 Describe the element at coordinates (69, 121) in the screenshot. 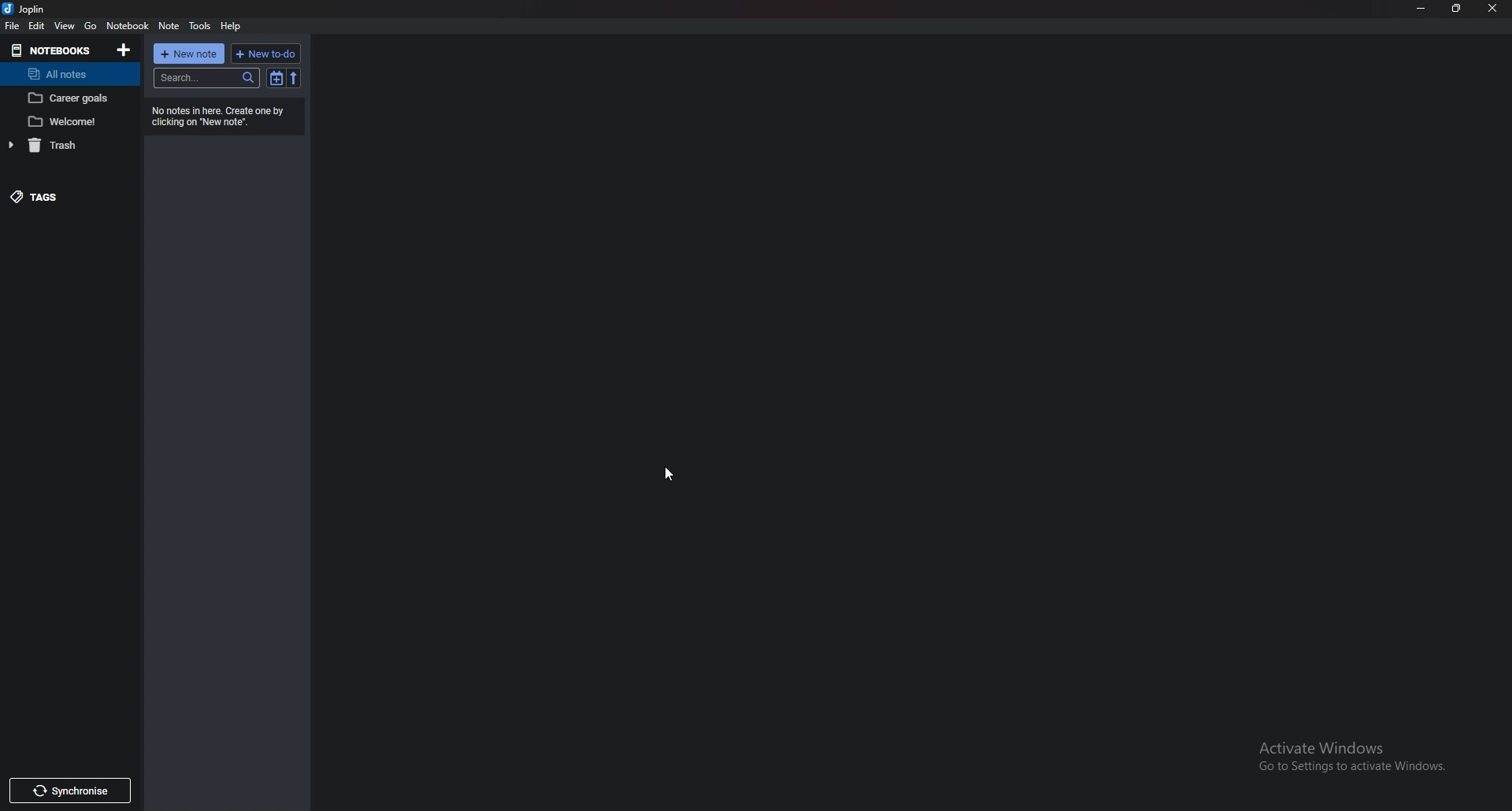

I see `note` at that location.